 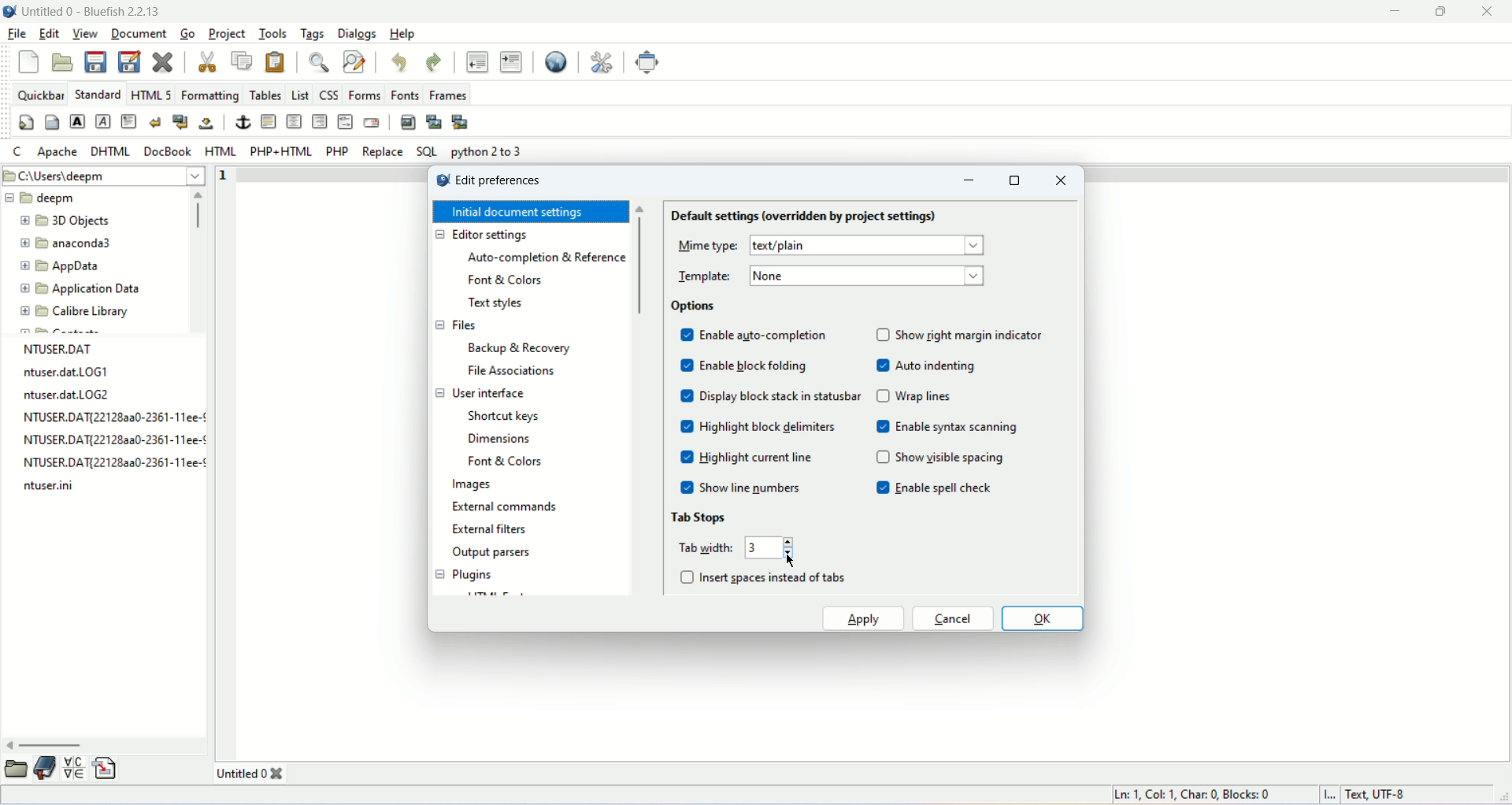 I want to click on show visible spacing, so click(x=948, y=458).